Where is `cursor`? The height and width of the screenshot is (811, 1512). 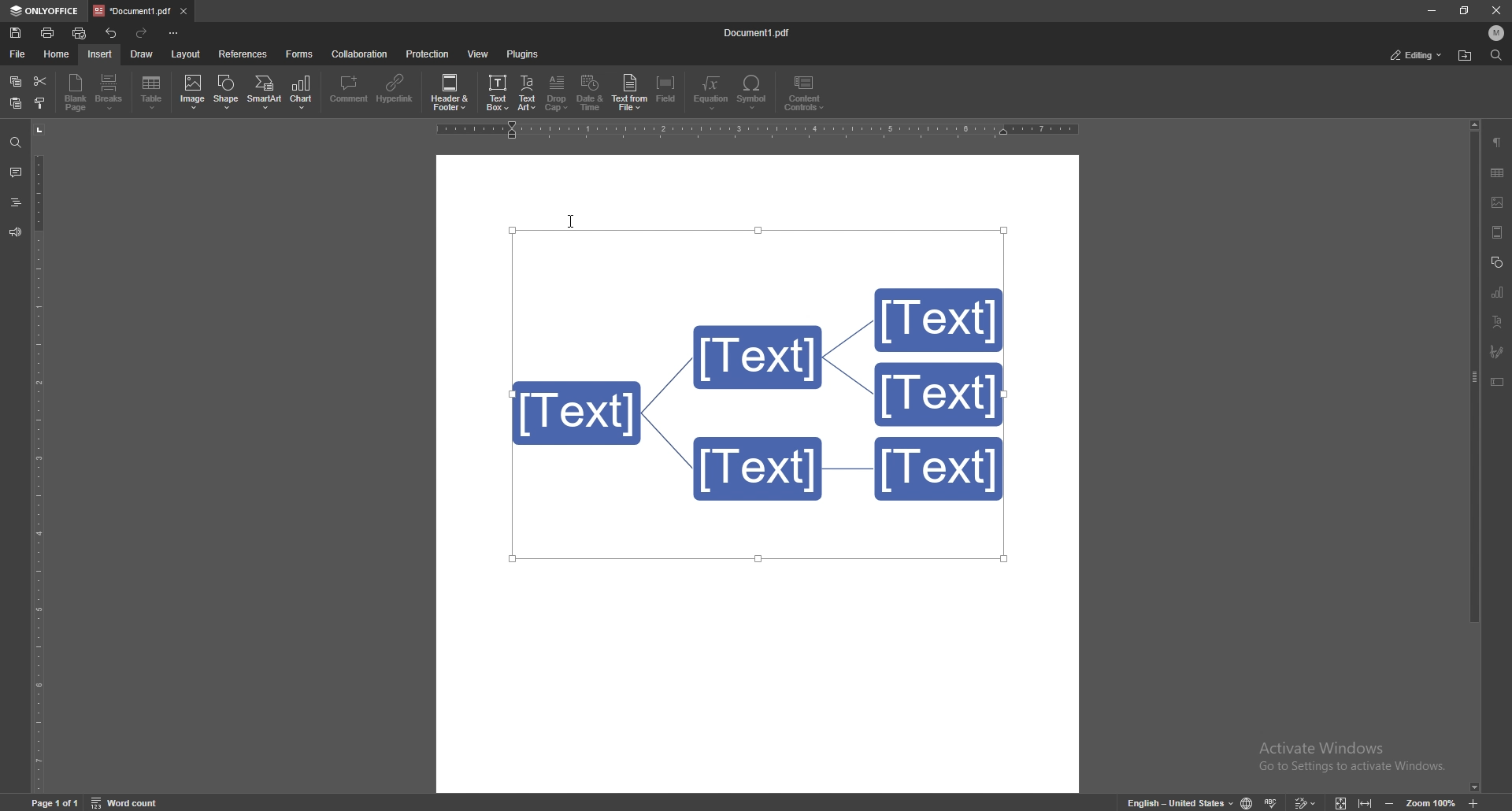 cursor is located at coordinates (573, 222).